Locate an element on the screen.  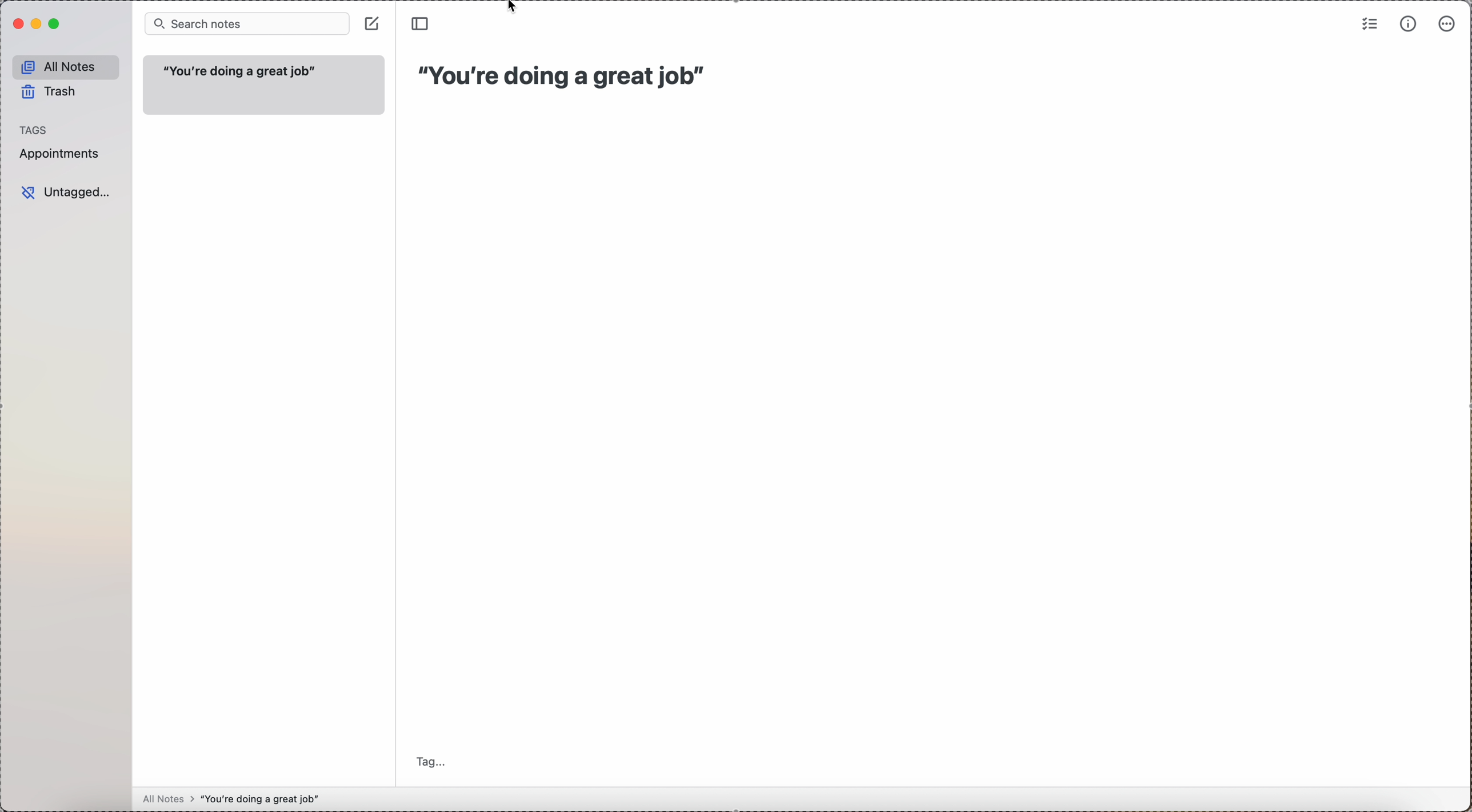
untagged is located at coordinates (67, 193).